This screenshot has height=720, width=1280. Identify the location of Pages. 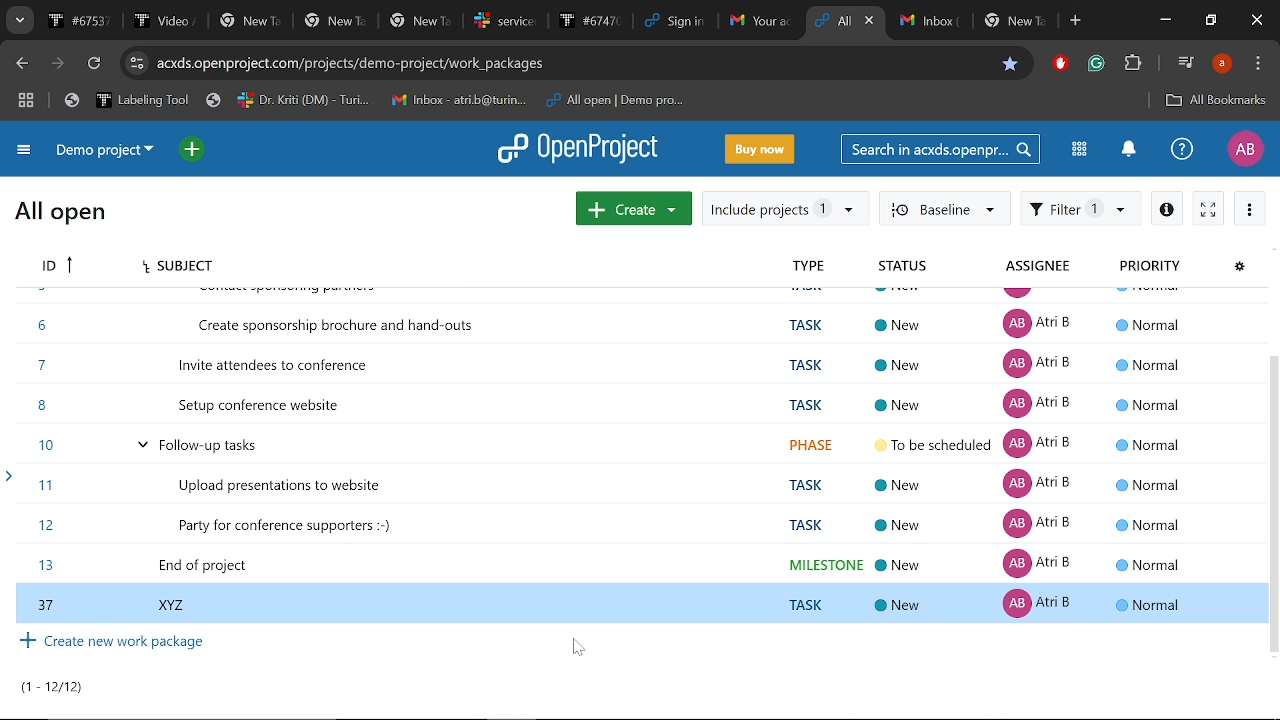
(62, 687).